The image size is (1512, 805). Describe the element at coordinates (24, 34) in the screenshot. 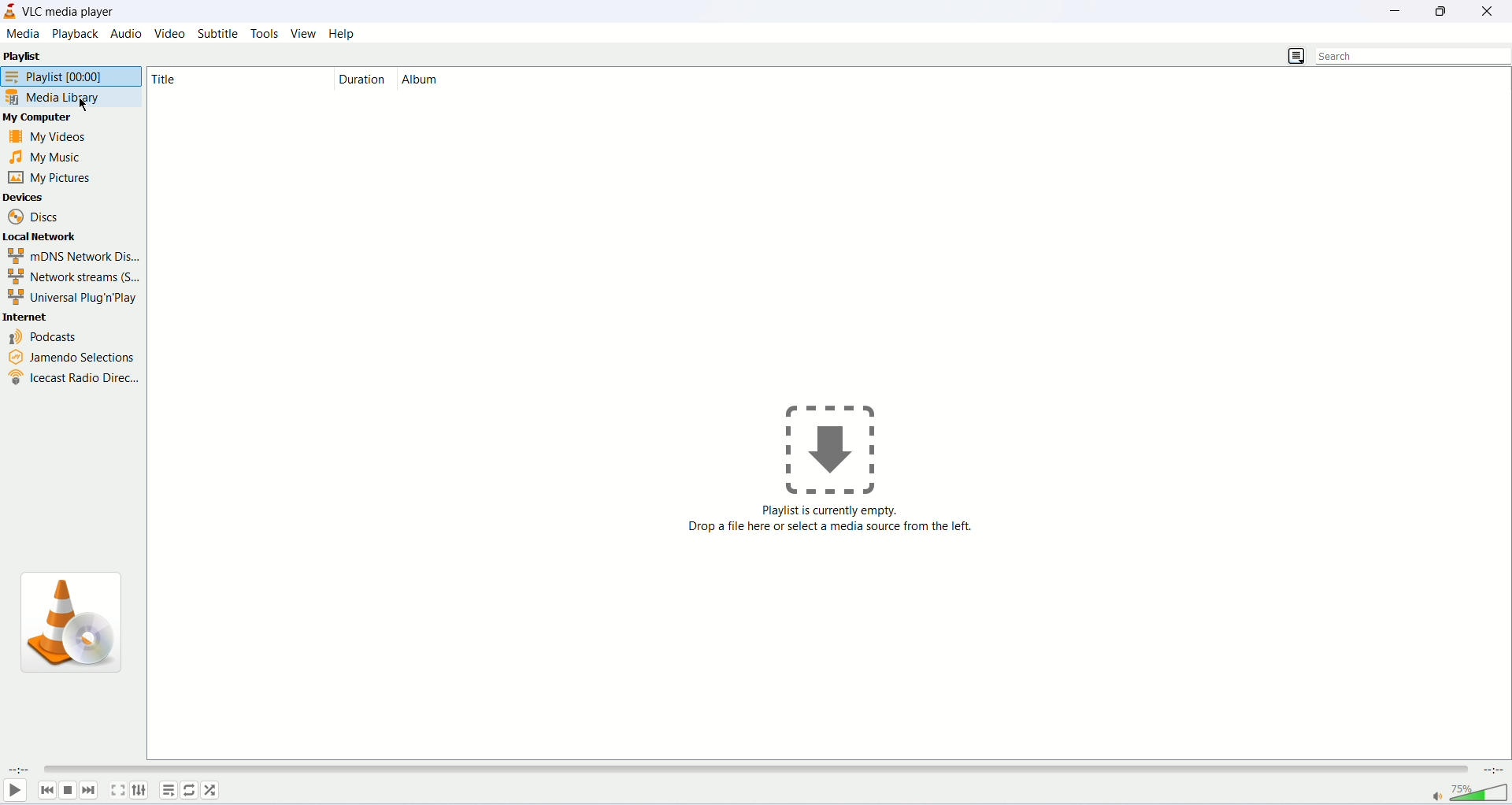

I see `media` at that location.